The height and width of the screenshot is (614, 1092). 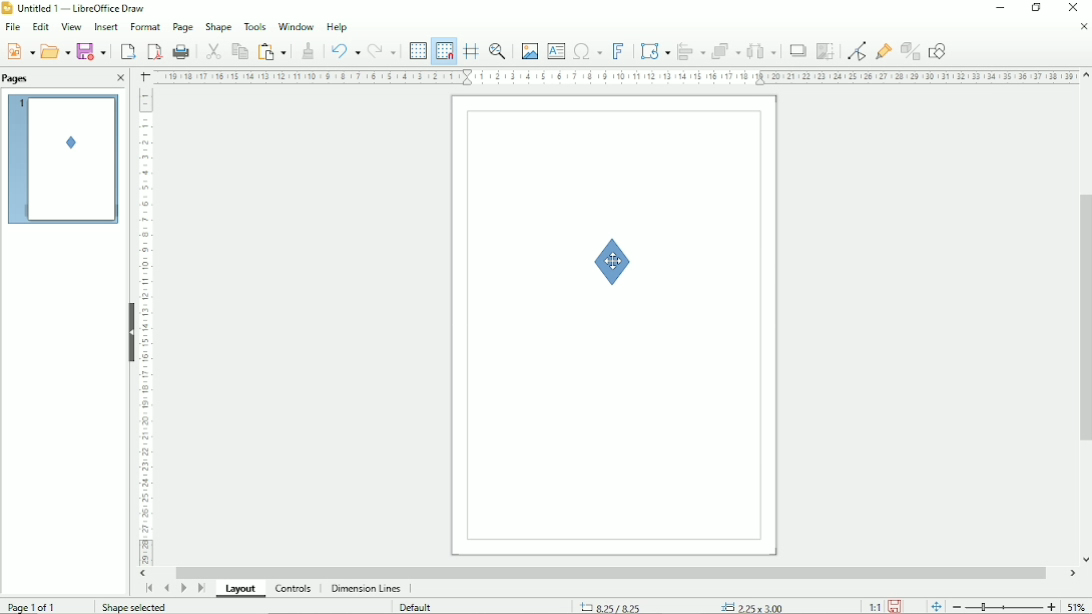 What do you see at coordinates (130, 329) in the screenshot?
I see `Hide` at bounding box center [130, 329].